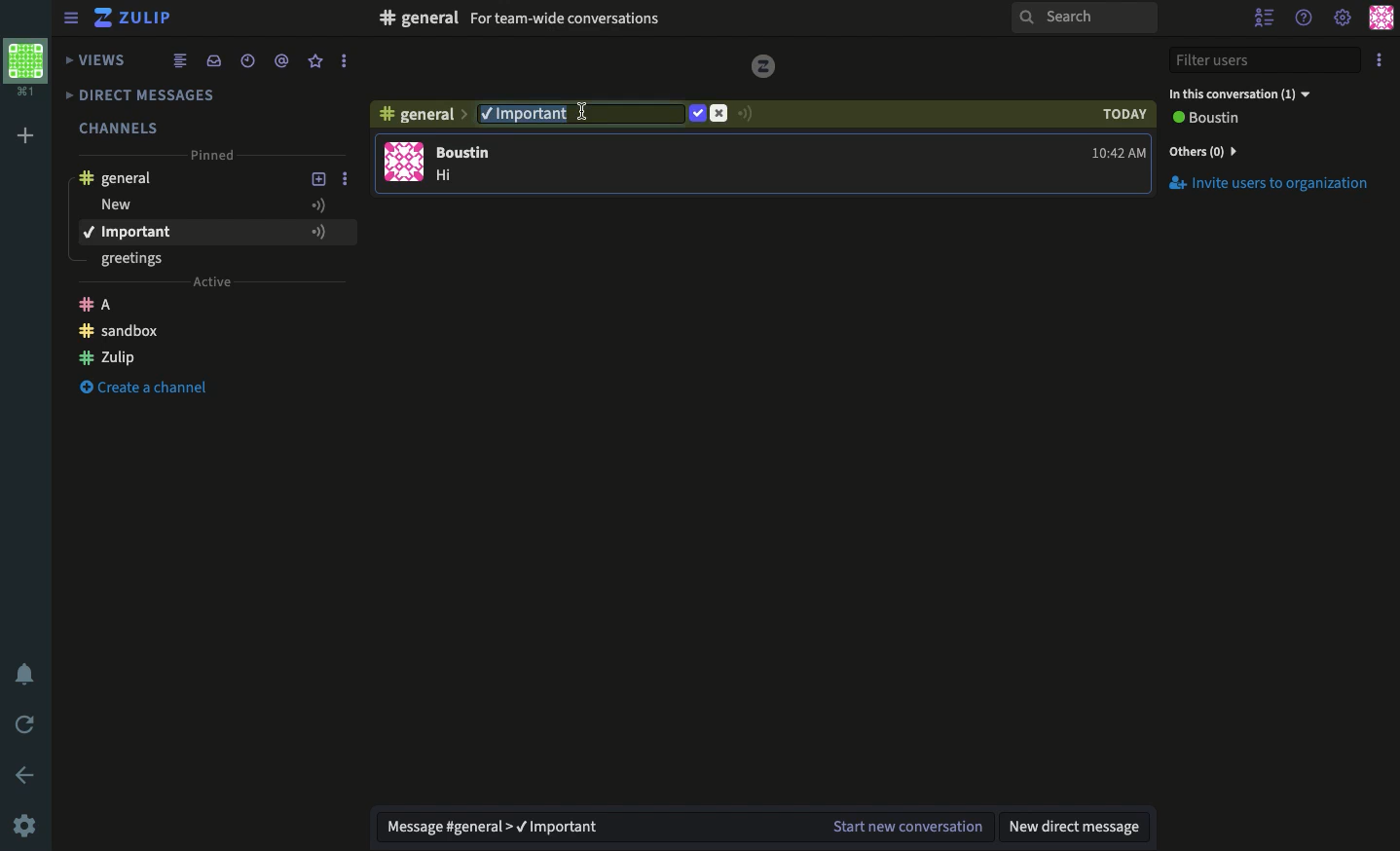 Image resolution: width=1400 pixels, height=851 pixels. I want to click on In this conversation, so click(1241, 92).